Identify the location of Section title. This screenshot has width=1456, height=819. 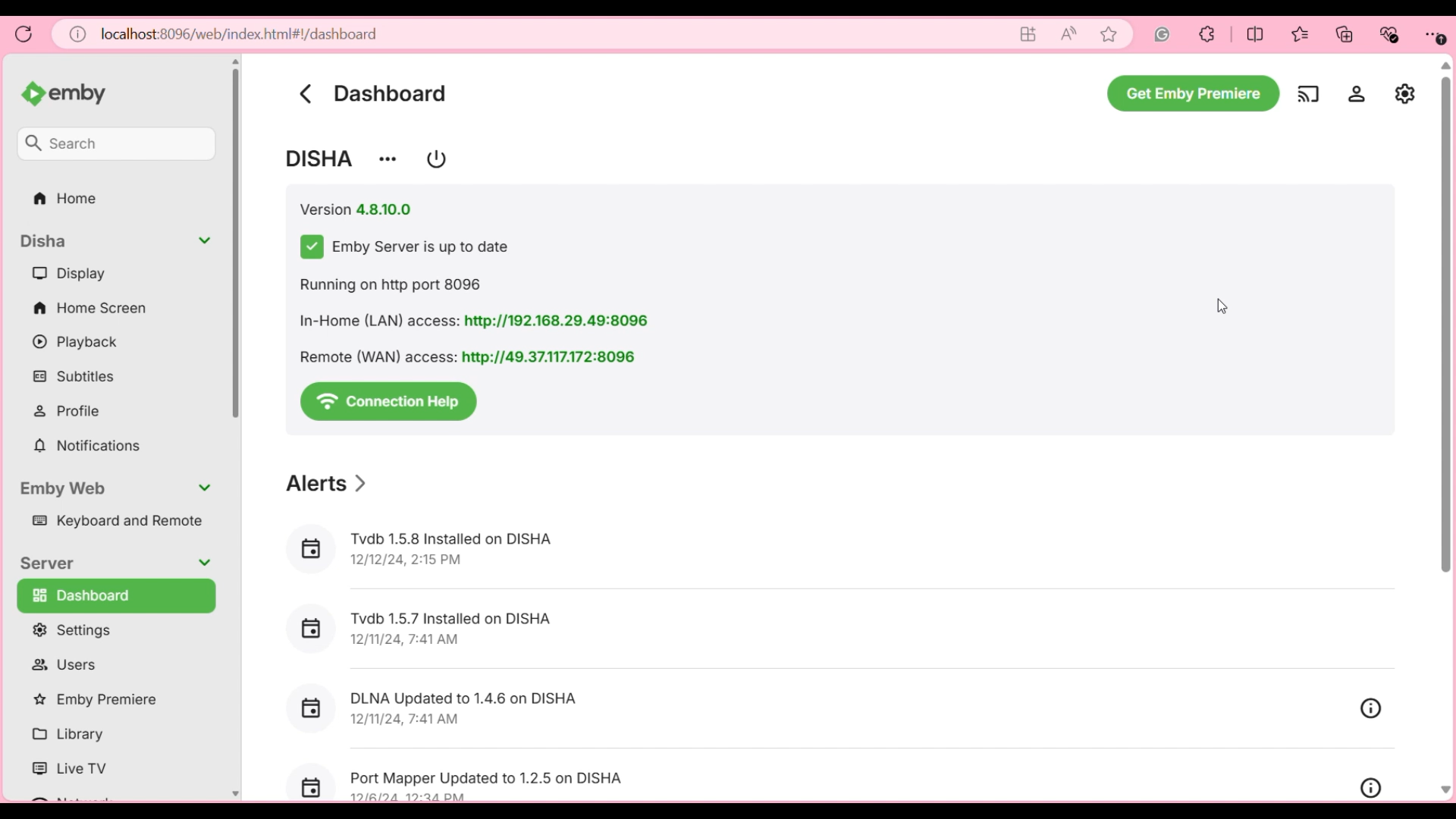
(50, 563).